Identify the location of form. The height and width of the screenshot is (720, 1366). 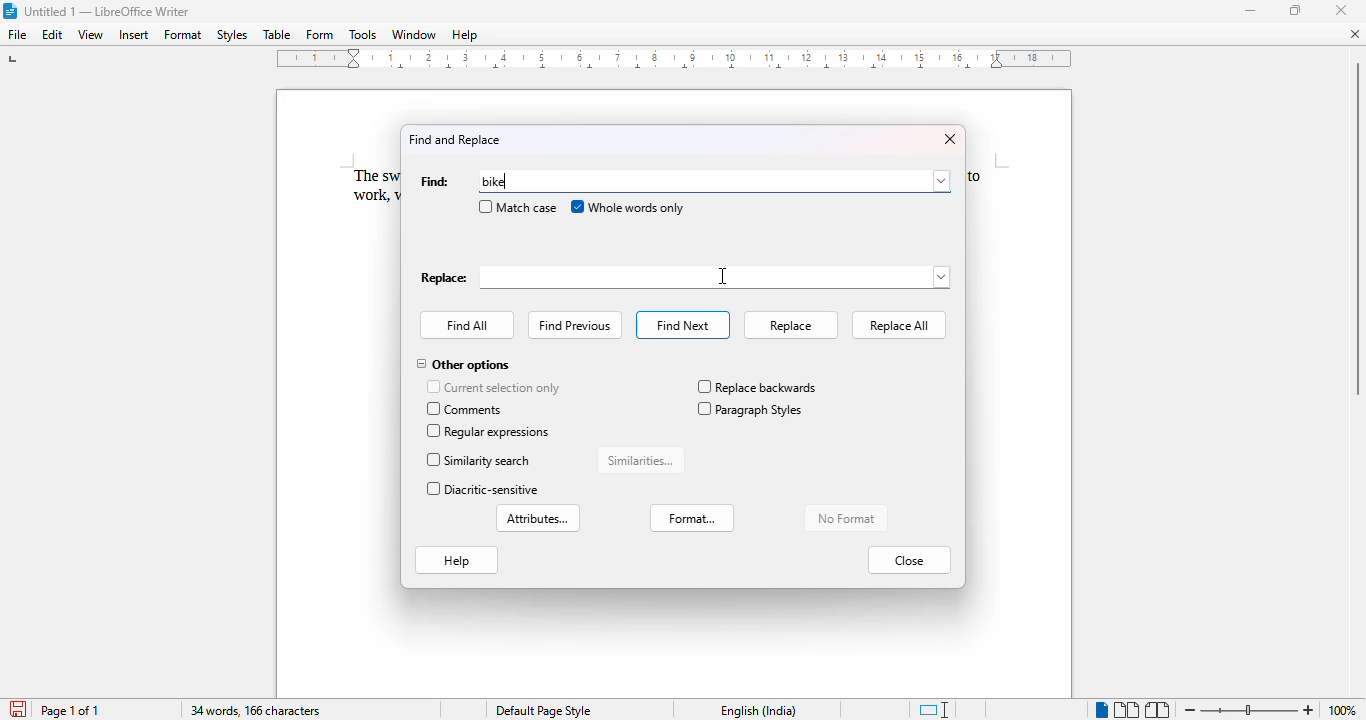
(320, 35).